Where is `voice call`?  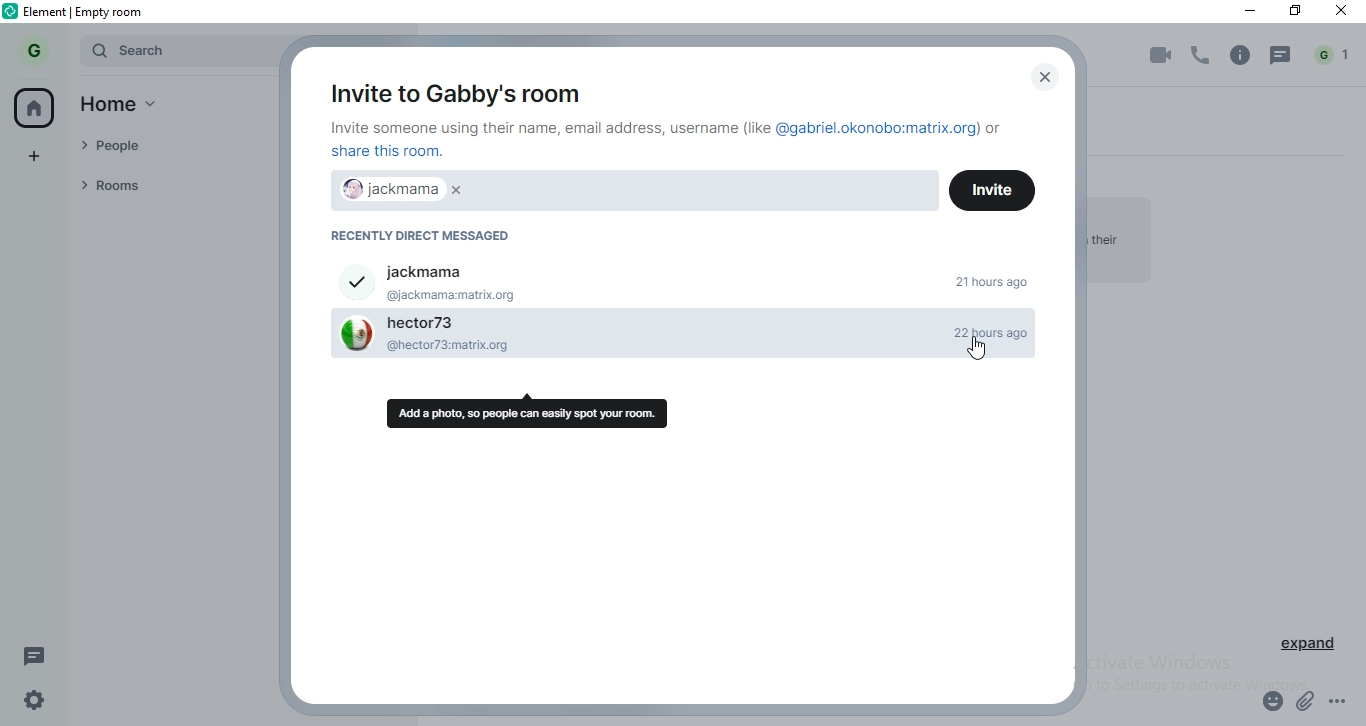
voice call is located at coordinates (1202, 56).